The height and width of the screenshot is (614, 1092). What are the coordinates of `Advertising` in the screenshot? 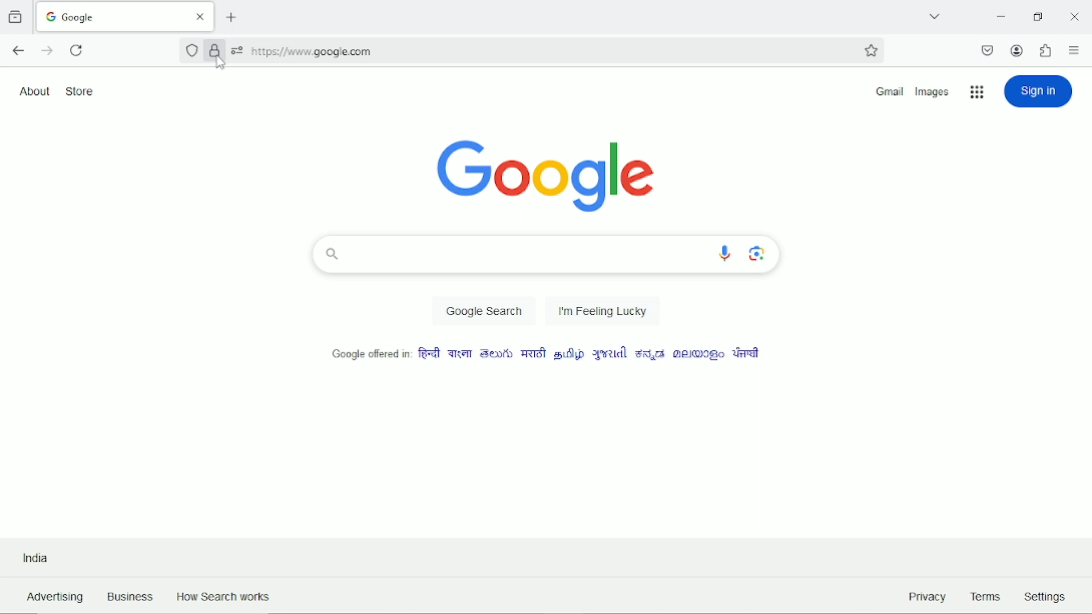 It's located at (51, 597).